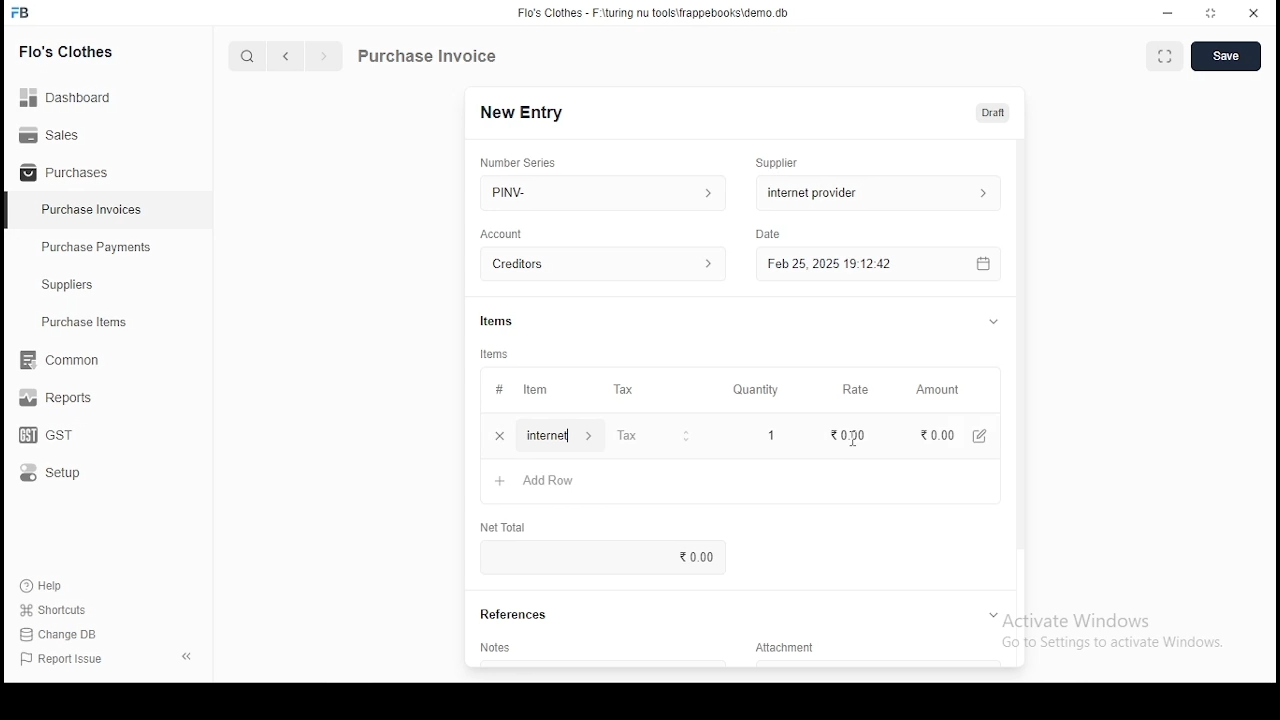 This screenshot has height=720, width=1280. What do you see at coordinates (95, 210) in the screenshot?
I see `Purchase Invoices` at bounding box center [95, 210].